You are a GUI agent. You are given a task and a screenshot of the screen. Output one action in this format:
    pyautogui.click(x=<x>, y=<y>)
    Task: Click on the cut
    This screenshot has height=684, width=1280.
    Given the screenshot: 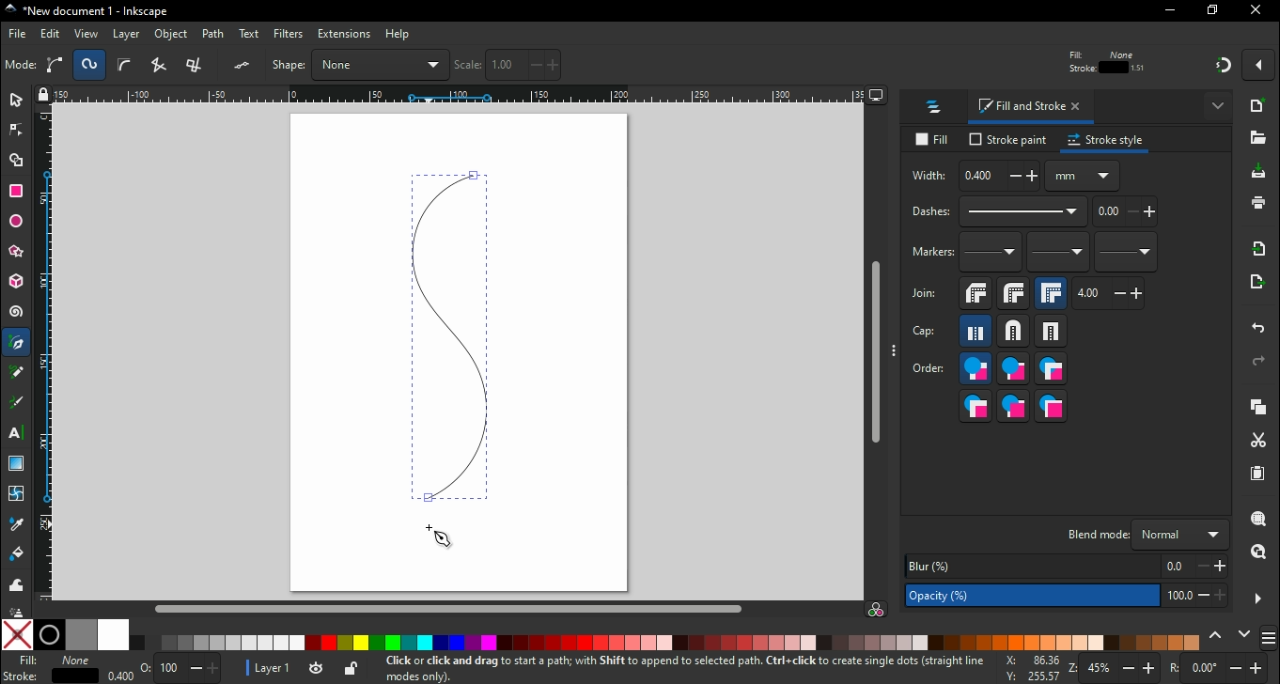 What is the action you would take?
    pyautogui.click(x=1260, y=442)
    